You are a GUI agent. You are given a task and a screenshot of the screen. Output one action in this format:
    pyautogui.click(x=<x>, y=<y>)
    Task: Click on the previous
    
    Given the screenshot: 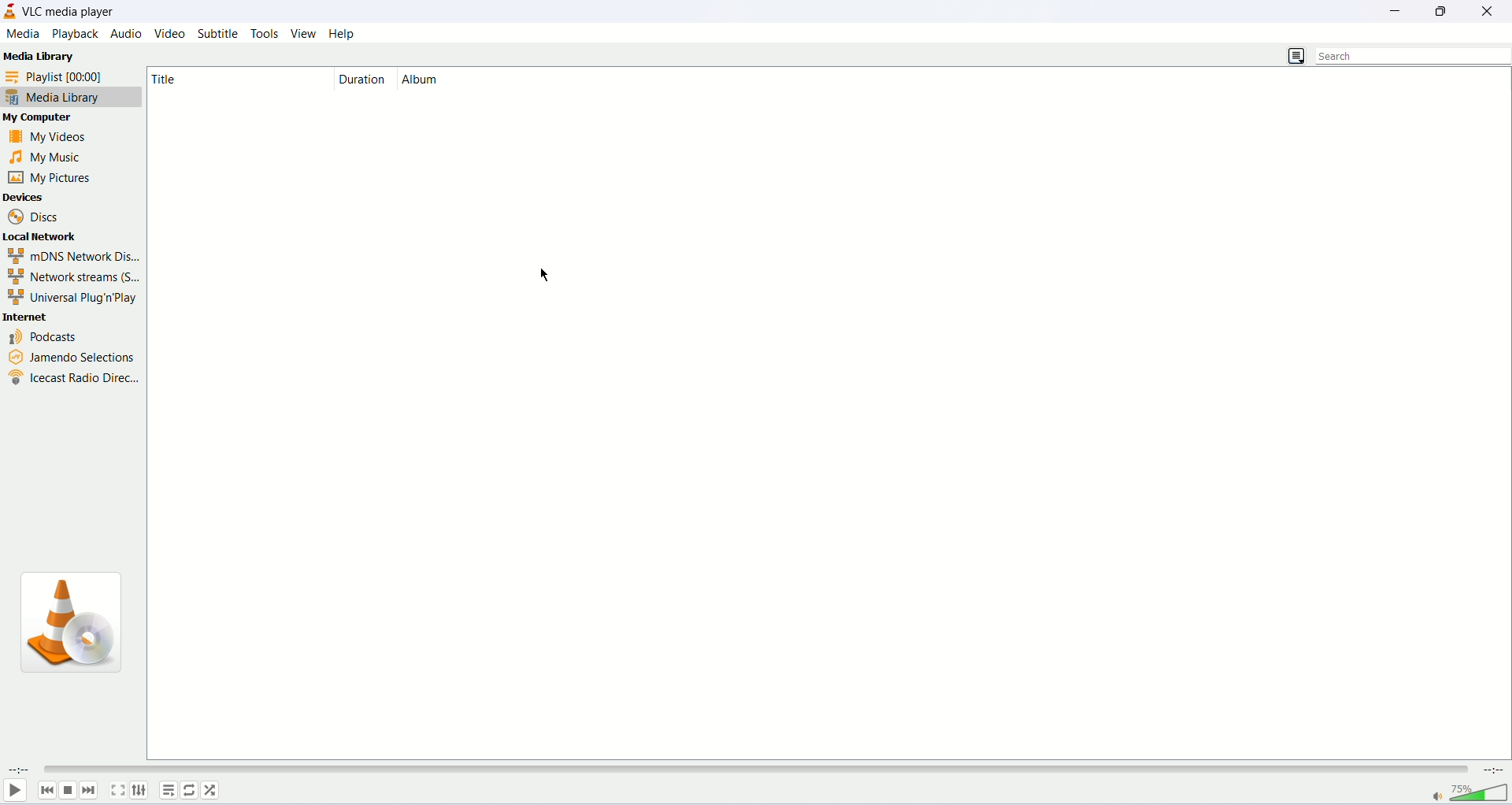 What is the action you would take?
    pyautogui.click(x=45, y=791)
    